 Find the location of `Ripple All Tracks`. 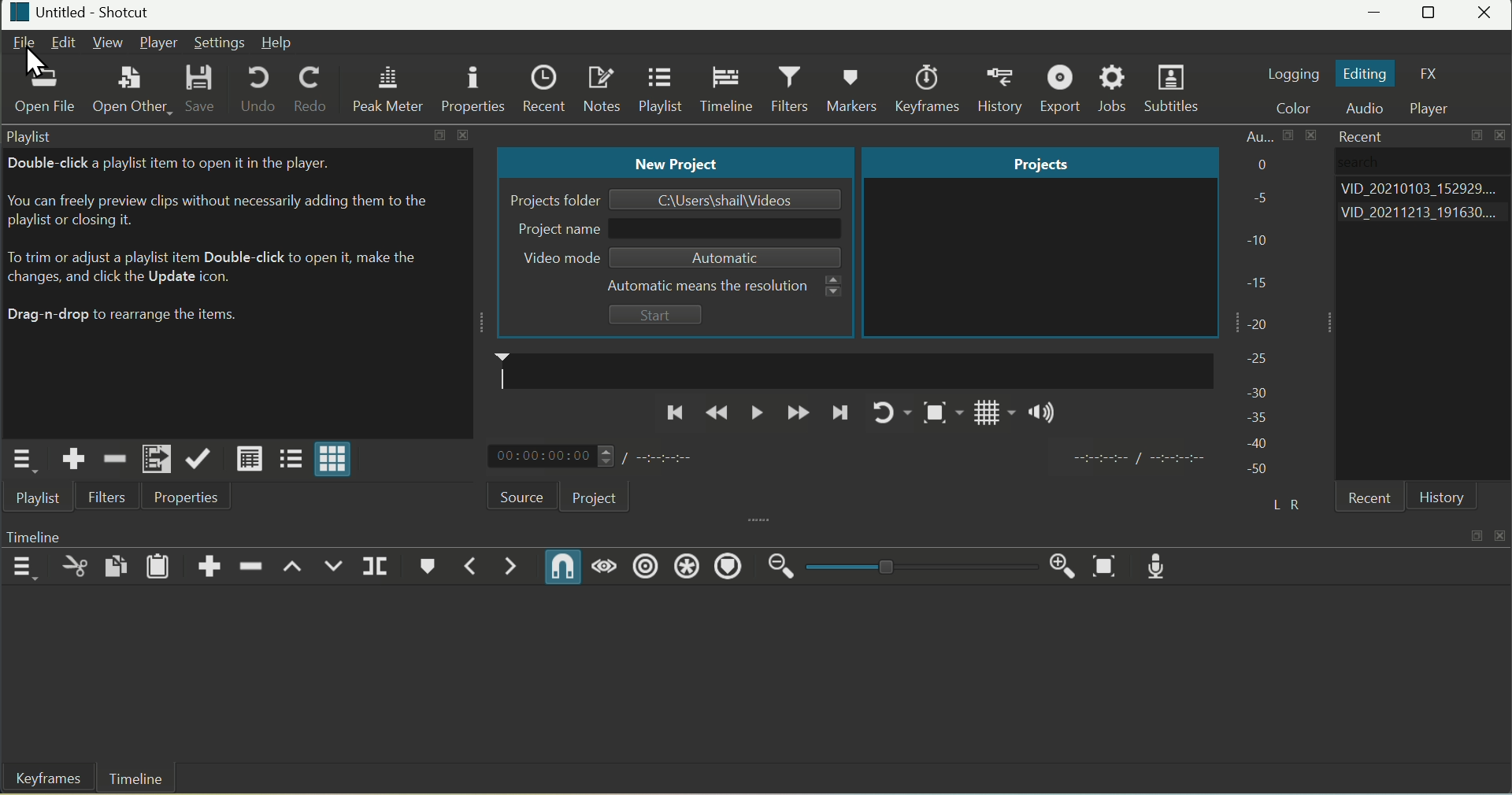

Ripple All Tracks is located at coordinates (685, 568).